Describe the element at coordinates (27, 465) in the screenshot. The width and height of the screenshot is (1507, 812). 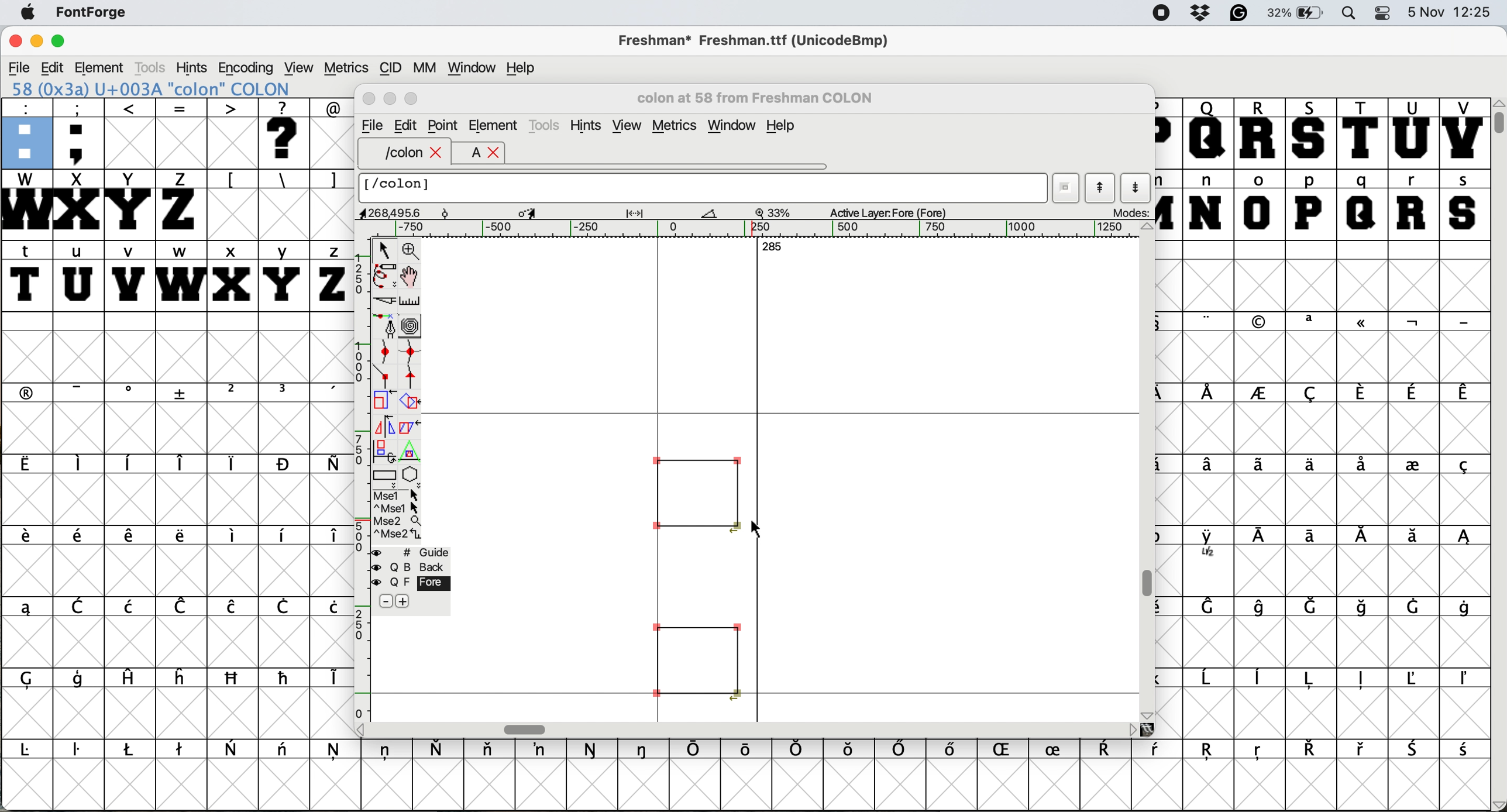
I see `symbol` at that location.